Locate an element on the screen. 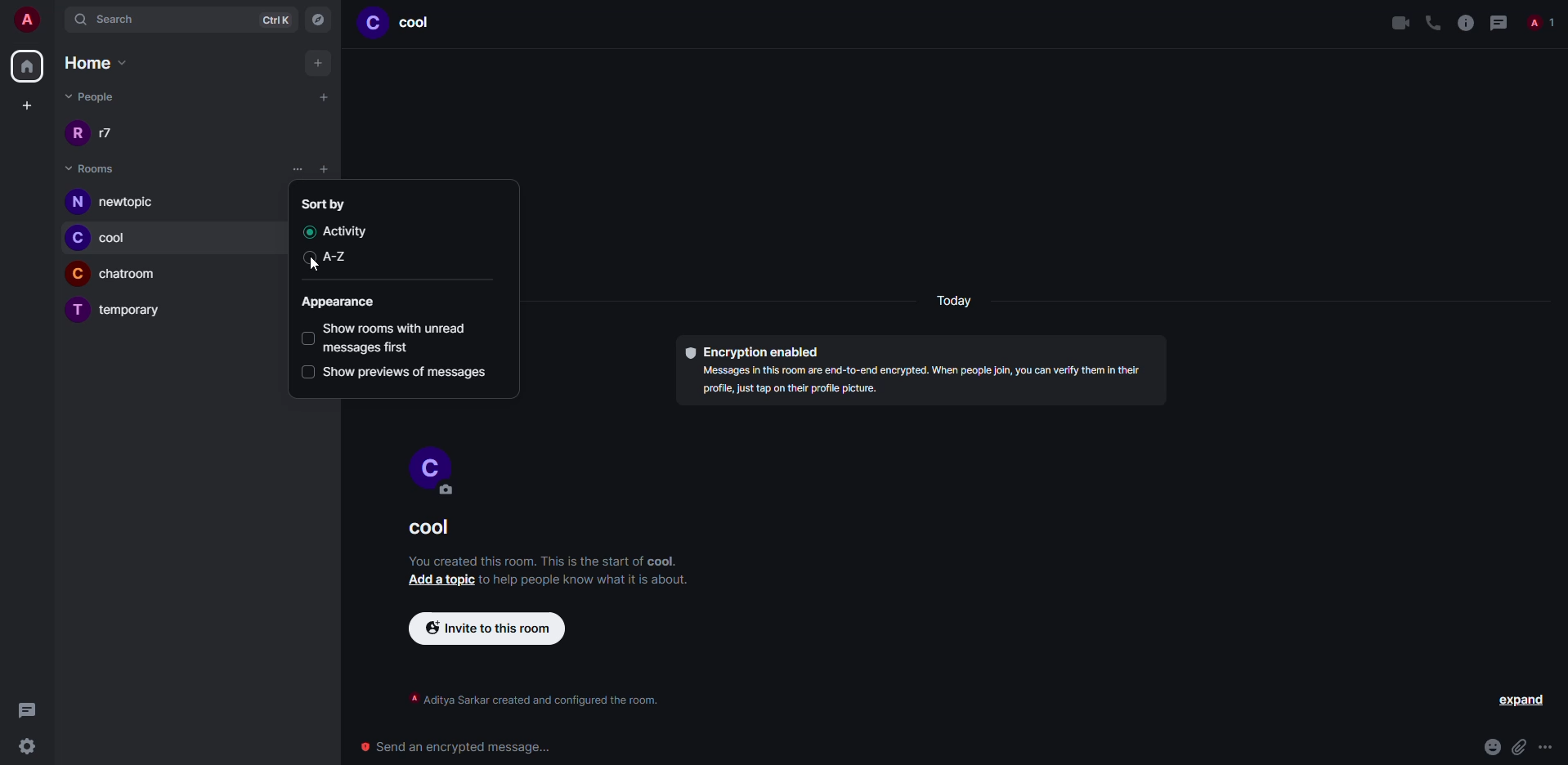 The width and height of the screenshot is (1568, 765). threads is located at coordinates (1497, 22).